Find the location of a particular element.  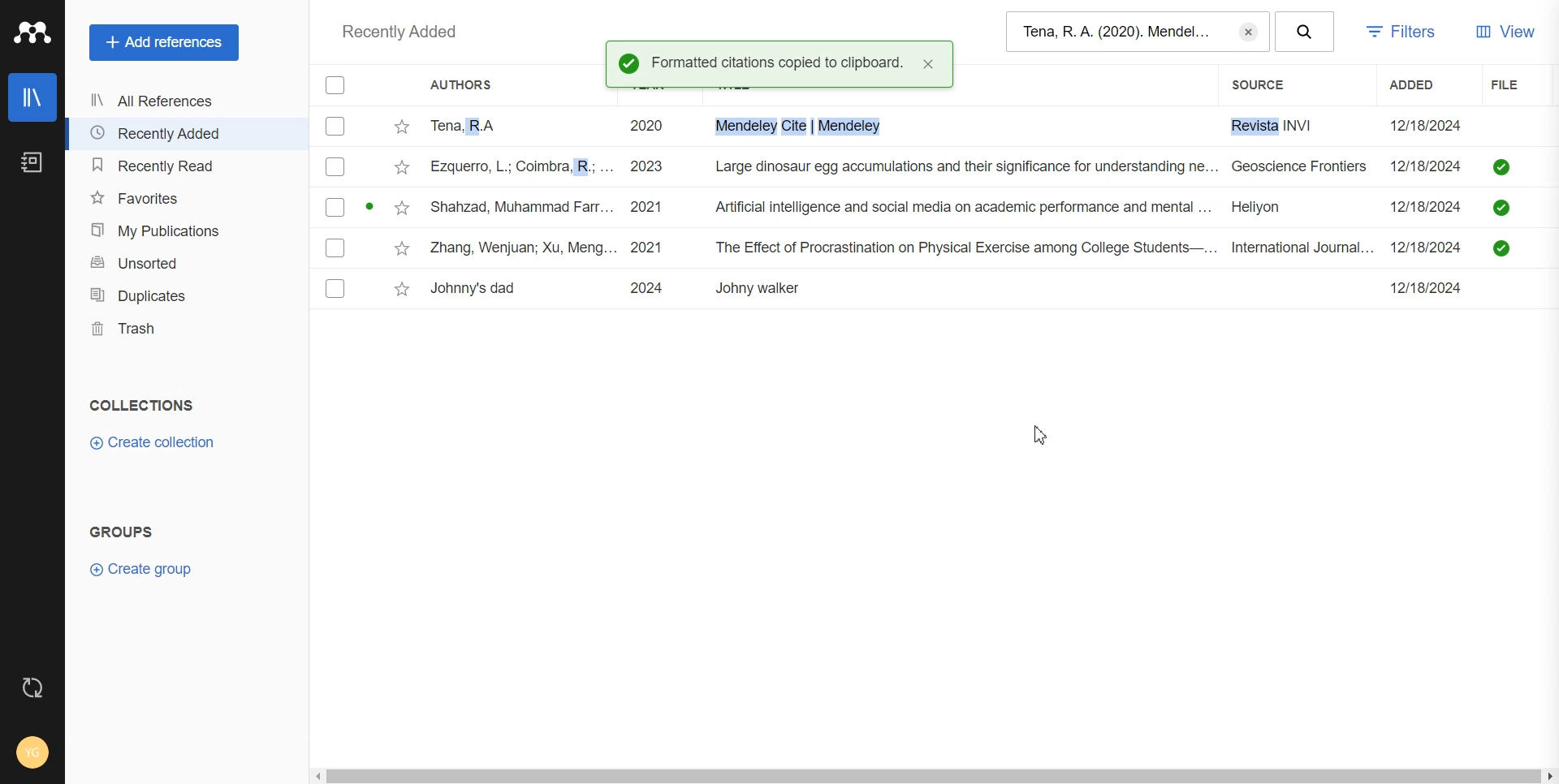

Zhang, Wenjuan; Xu, Meng... 2021 The Effect of Procrastination on Physical Exercise among College Students—... International Journal... is located at coordinates (904, 248).